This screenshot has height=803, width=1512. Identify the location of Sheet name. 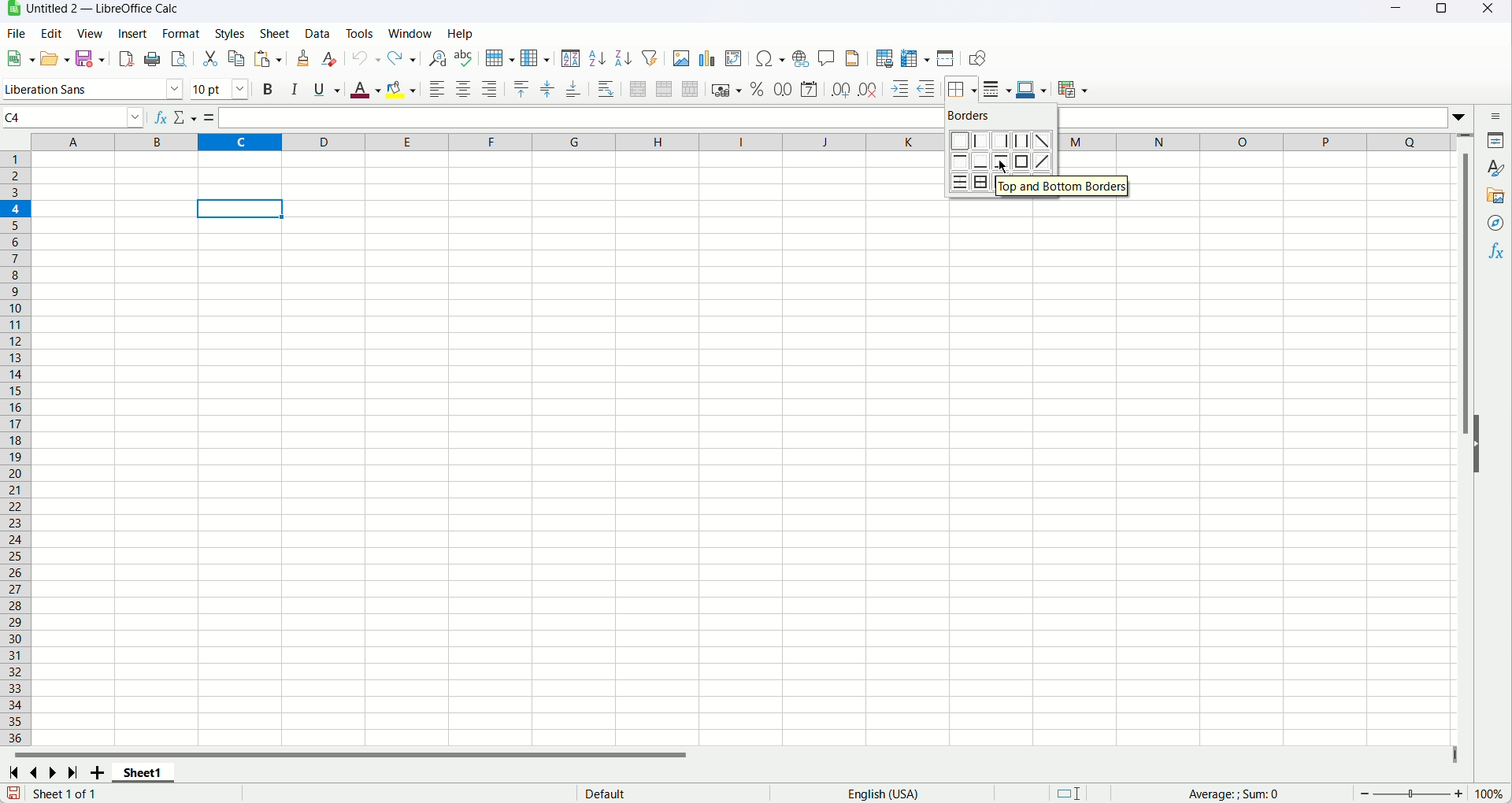
(143, 773).